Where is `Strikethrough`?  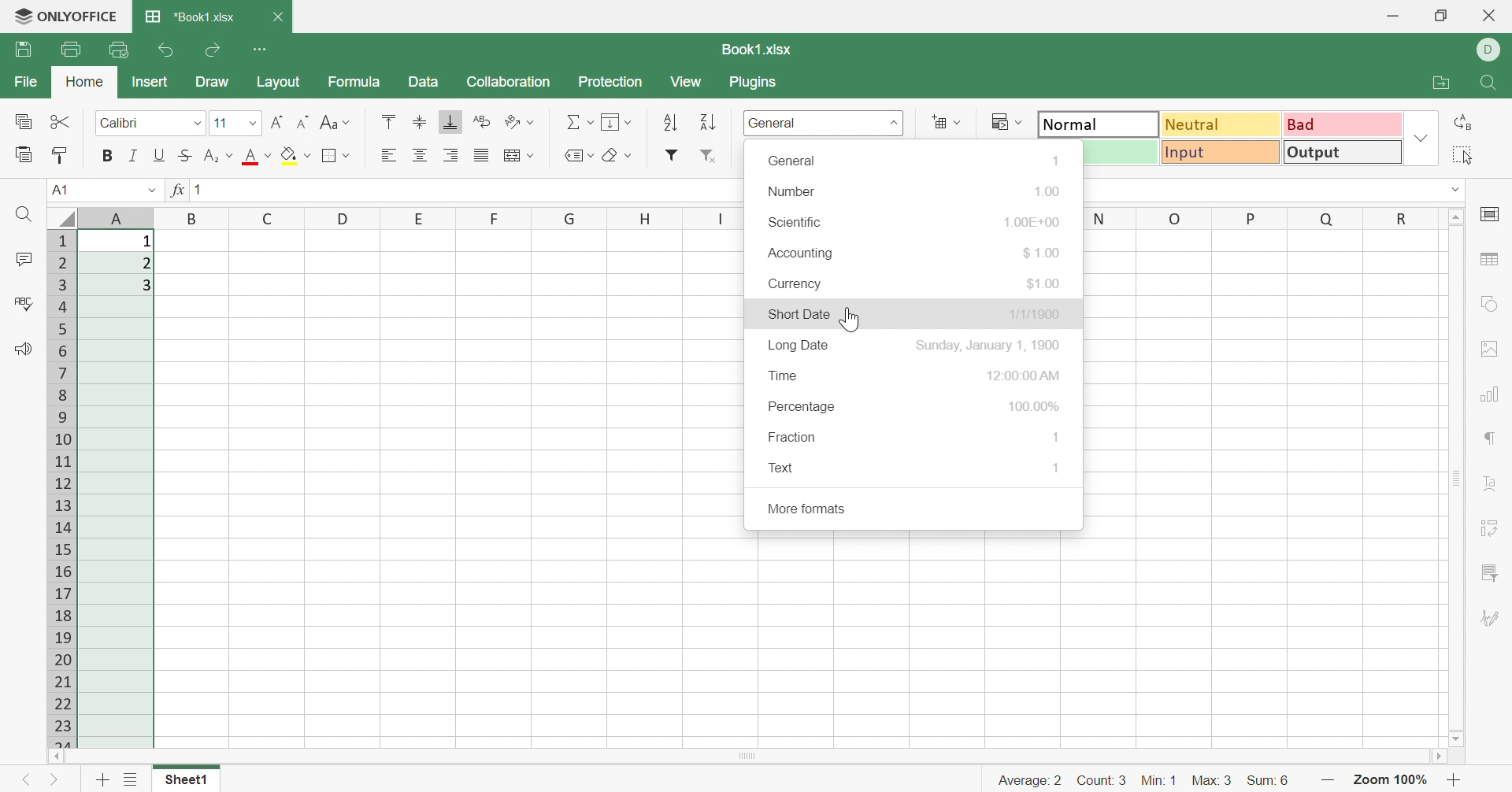
Strikethrough is located at coordinates (187, 154).